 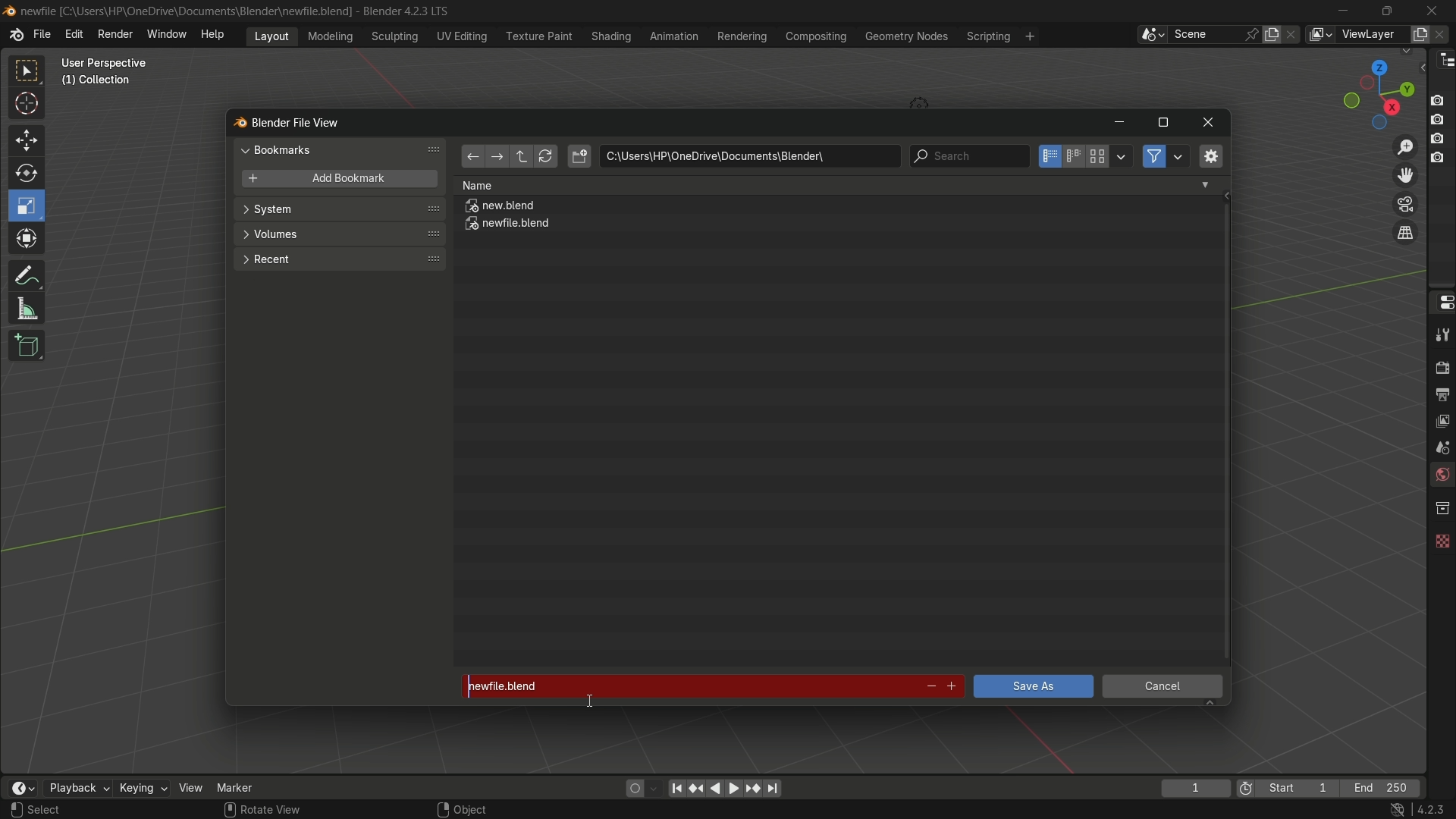 I want to click on keying, so click(x=142, y=789).